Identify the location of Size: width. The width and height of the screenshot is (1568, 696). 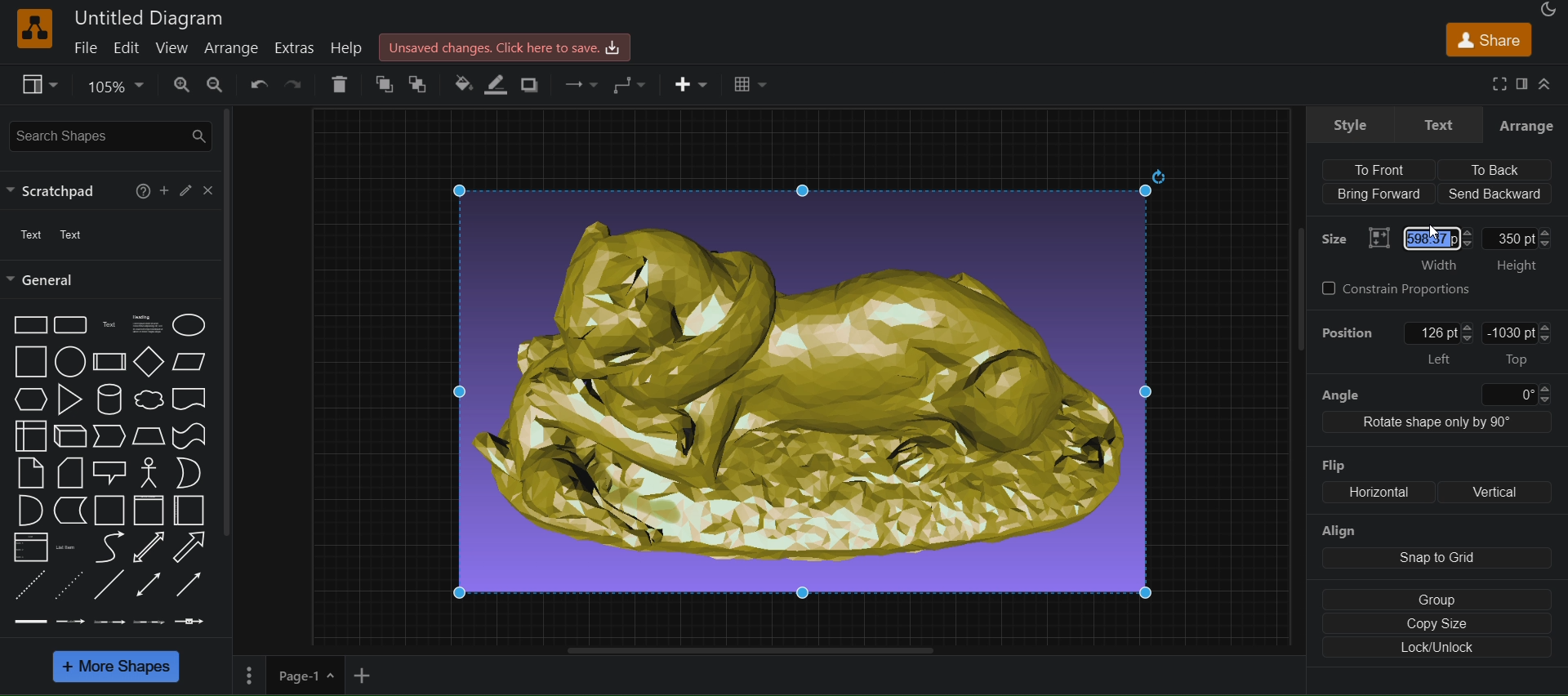
(1420, 235).